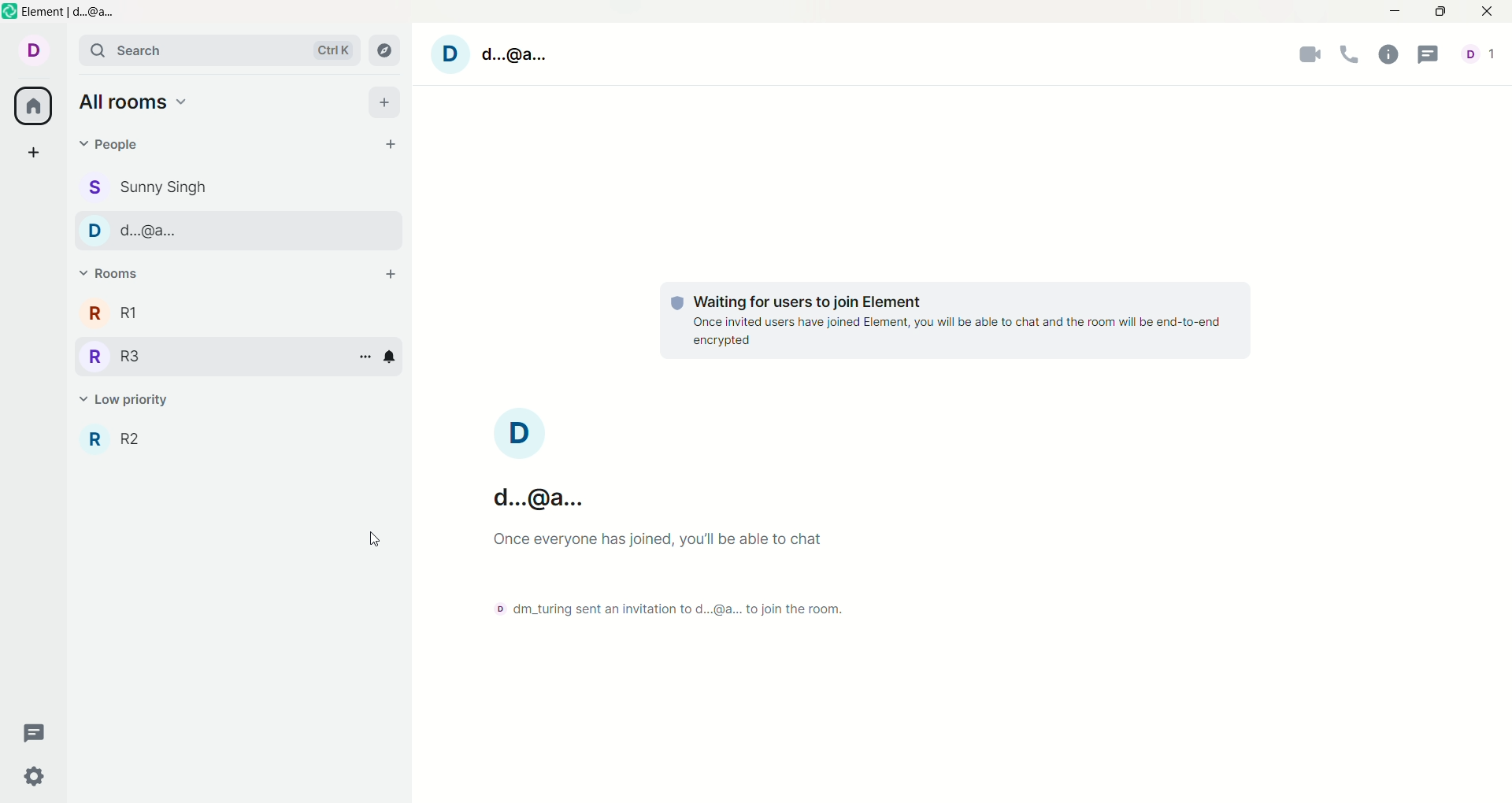  Describe the element at coordinates (34, 778) in the screenshot. I see `settings` at that location.